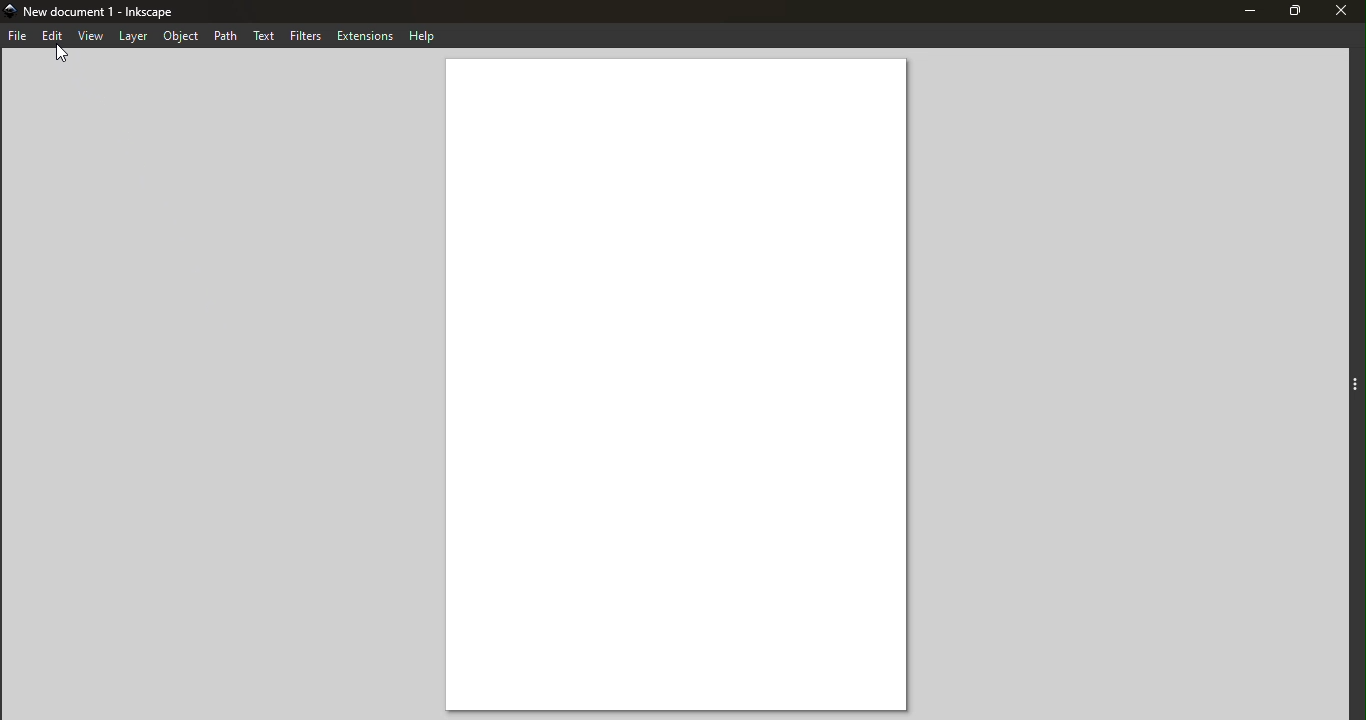 The height and width of the screenshot is (720, 1366). Describe the element at coordinates (680, 386) in the screenshot. I see `Canvas` at that location.